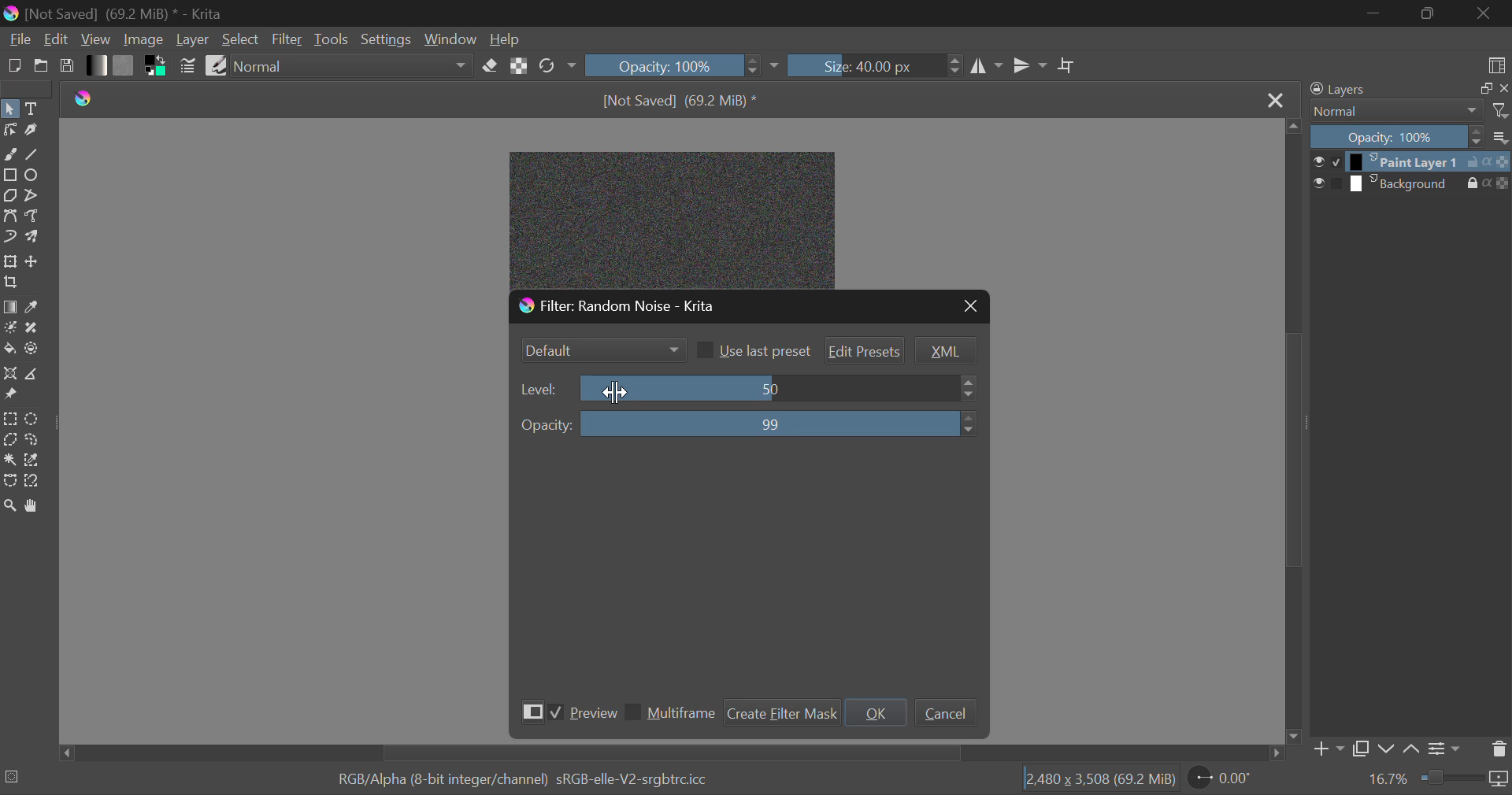  What do you see at coordinates (32, 107) in the screenshot?
I see `Text` at bounding box center [32, 107].